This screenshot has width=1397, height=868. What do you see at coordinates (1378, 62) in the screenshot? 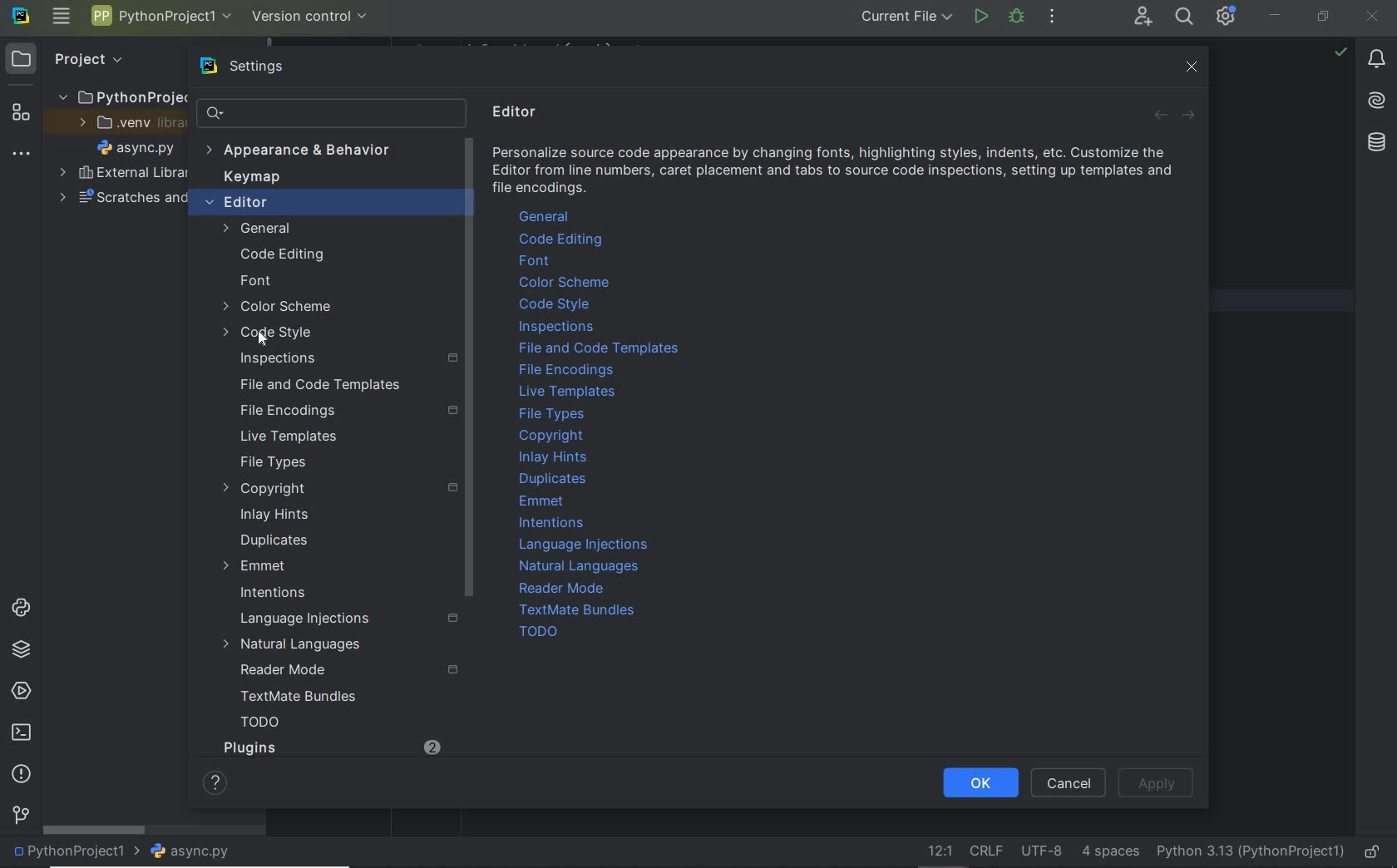
I see `notifications` at bounding box center [1378, 62].